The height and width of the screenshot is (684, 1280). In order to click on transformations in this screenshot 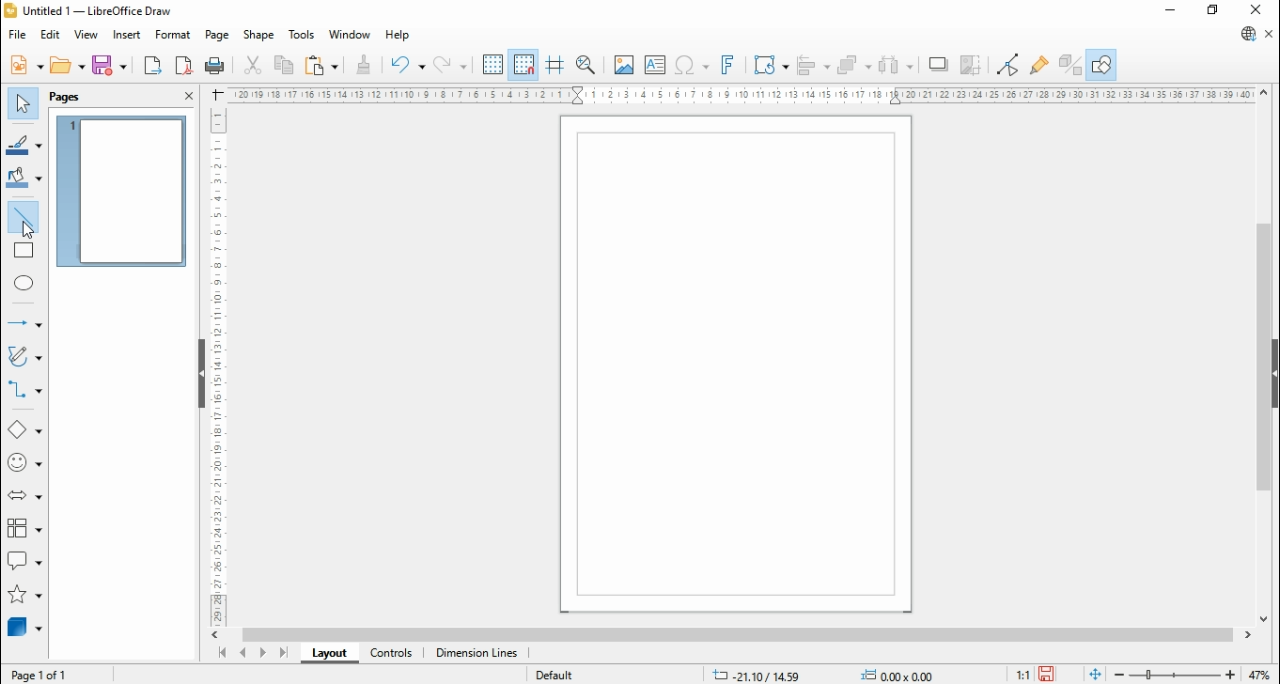, I will do `click(770, 64)`.